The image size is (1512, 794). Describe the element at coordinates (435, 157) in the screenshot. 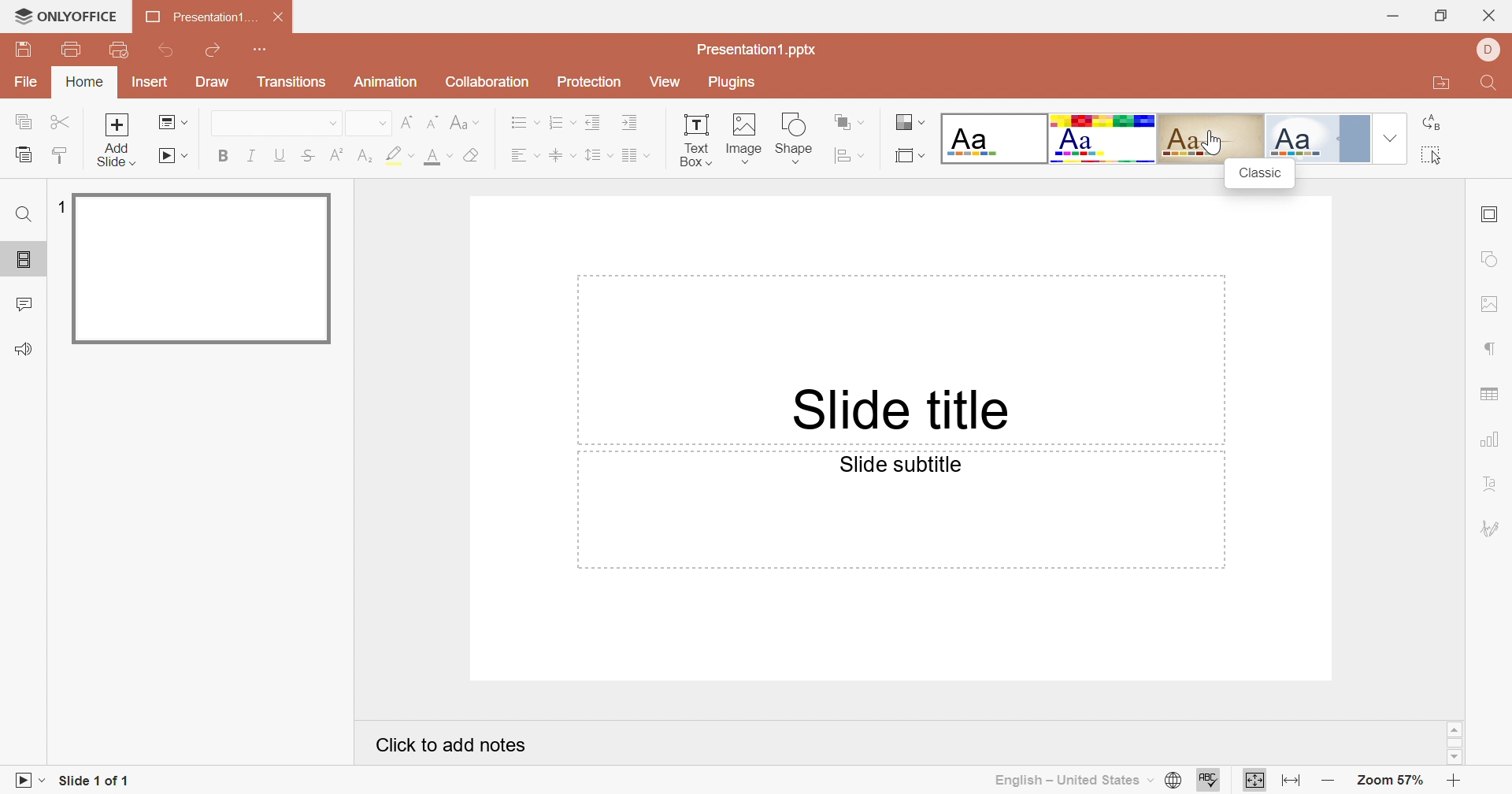

I see `Font Color` at that location.